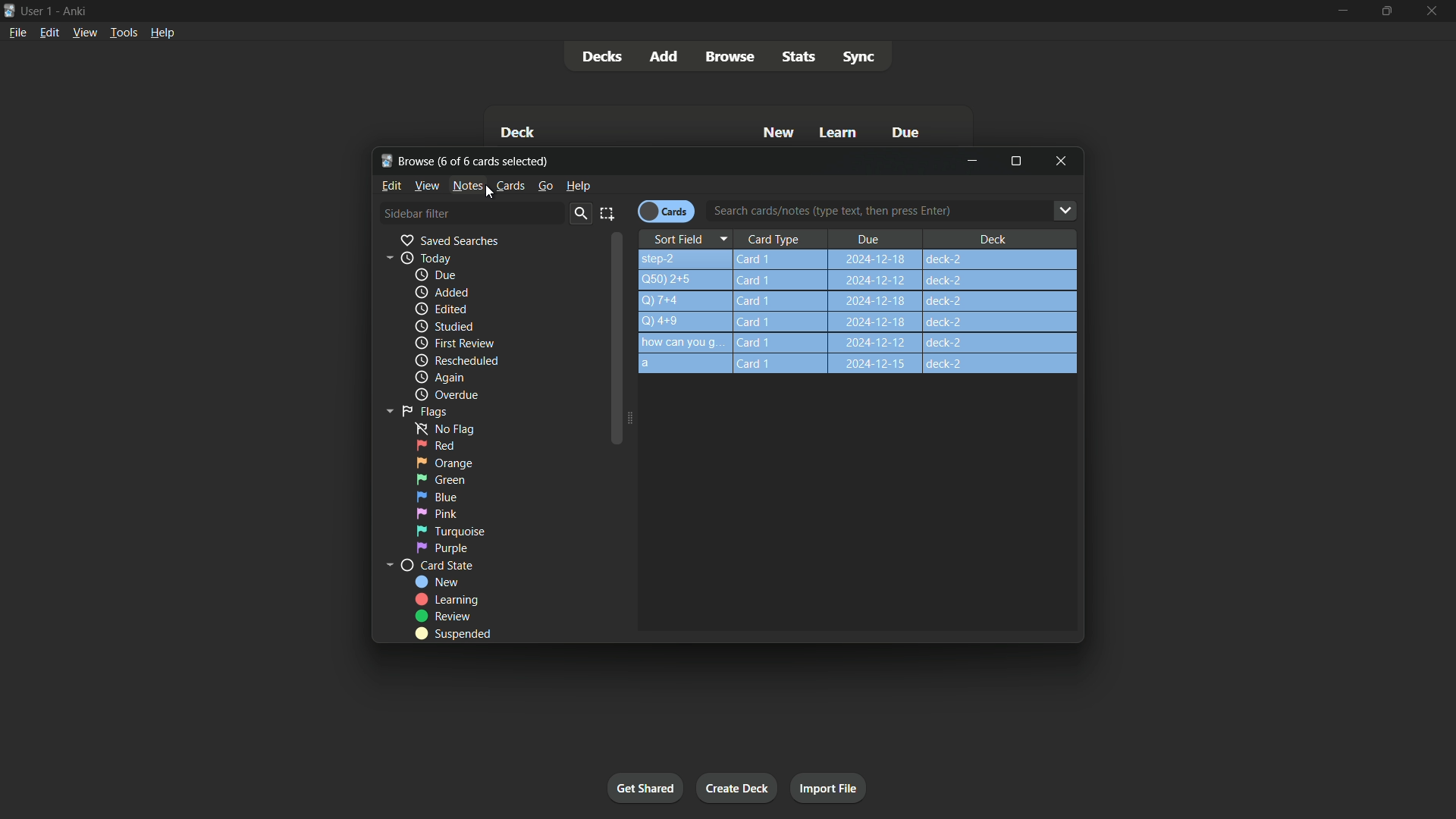 This screenshot has height=819, width=1456. What do you see at coordinates (1016, 161) in the screenshot?
I see `Maximize` at bounding box center [1016, 161].